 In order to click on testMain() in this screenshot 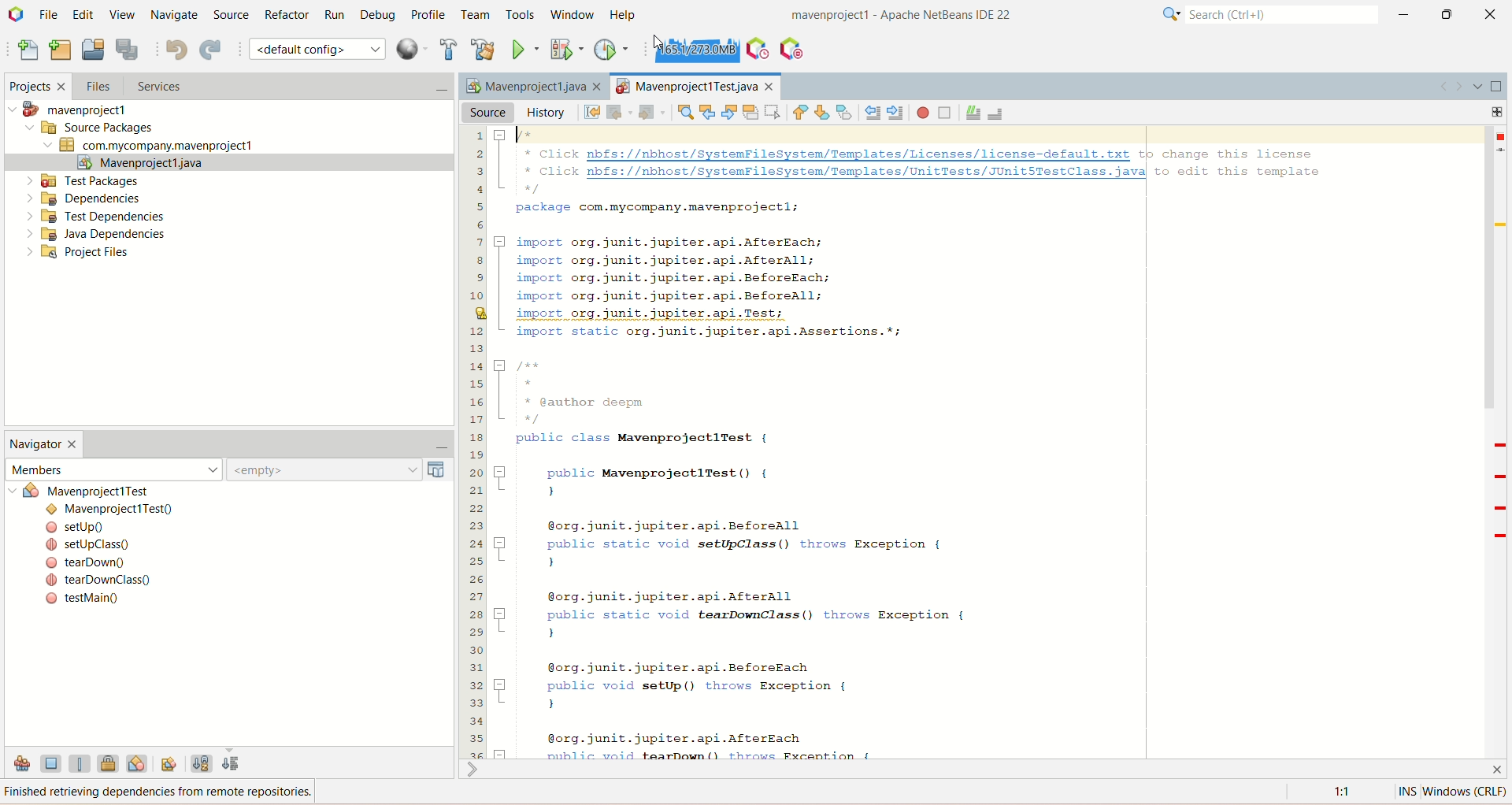, I will do `click(84, 600)`.